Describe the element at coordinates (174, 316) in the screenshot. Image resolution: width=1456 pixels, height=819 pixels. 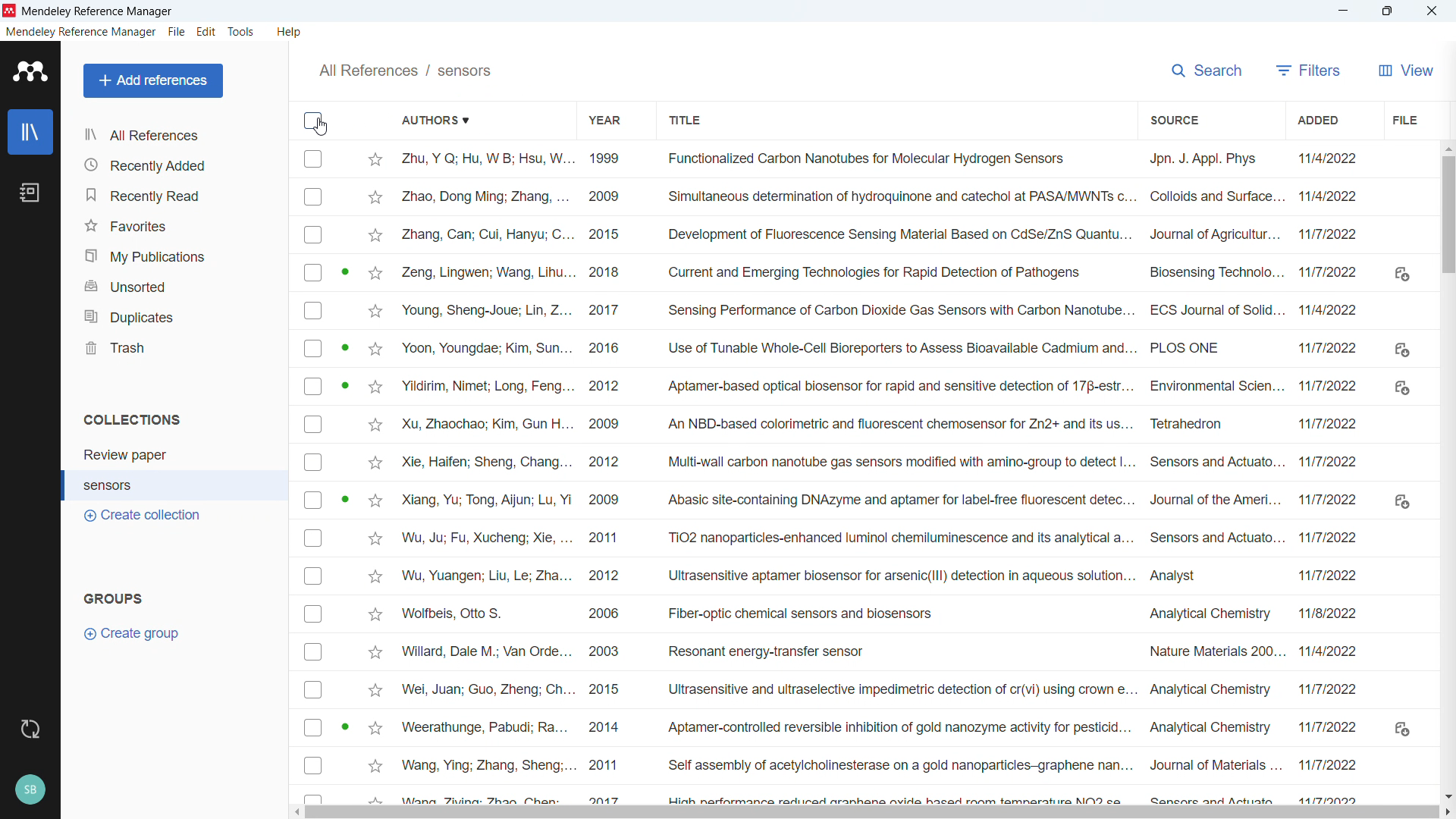
I see `duplicates` at that location.